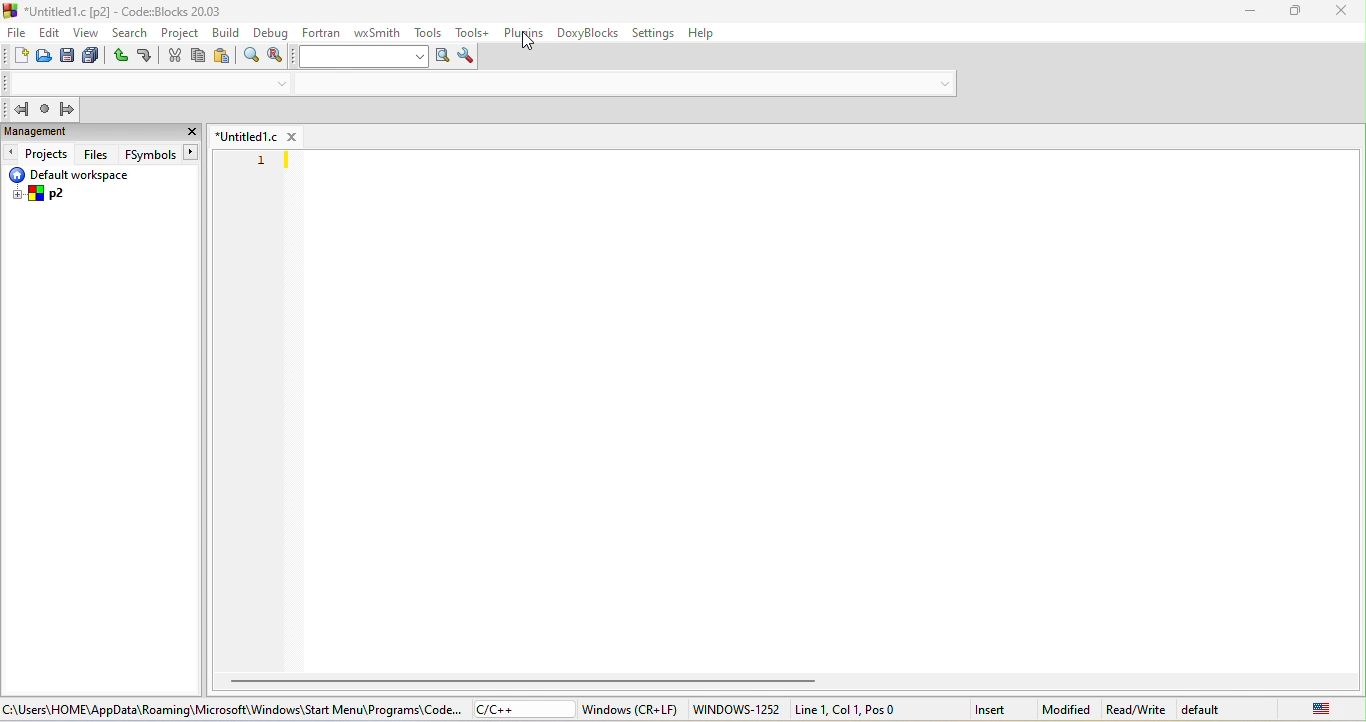 This screenshot has height=722, width=1366. What do you see at coordinates (255, 56) in the screenshot?
I see `find` at bounding box center [255, 56].